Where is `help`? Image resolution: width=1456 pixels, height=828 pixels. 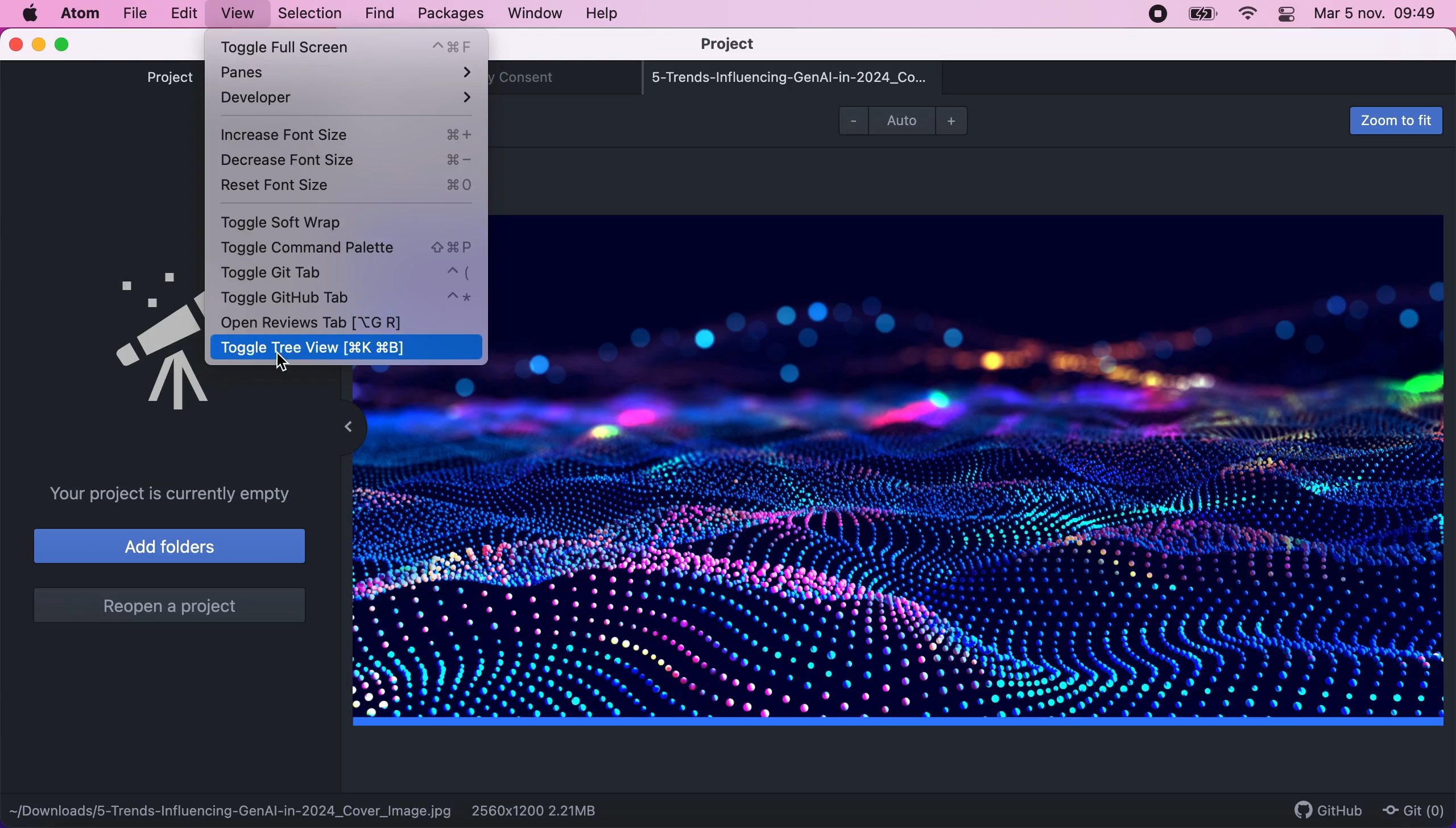 help is located at coordinates (607, 13).